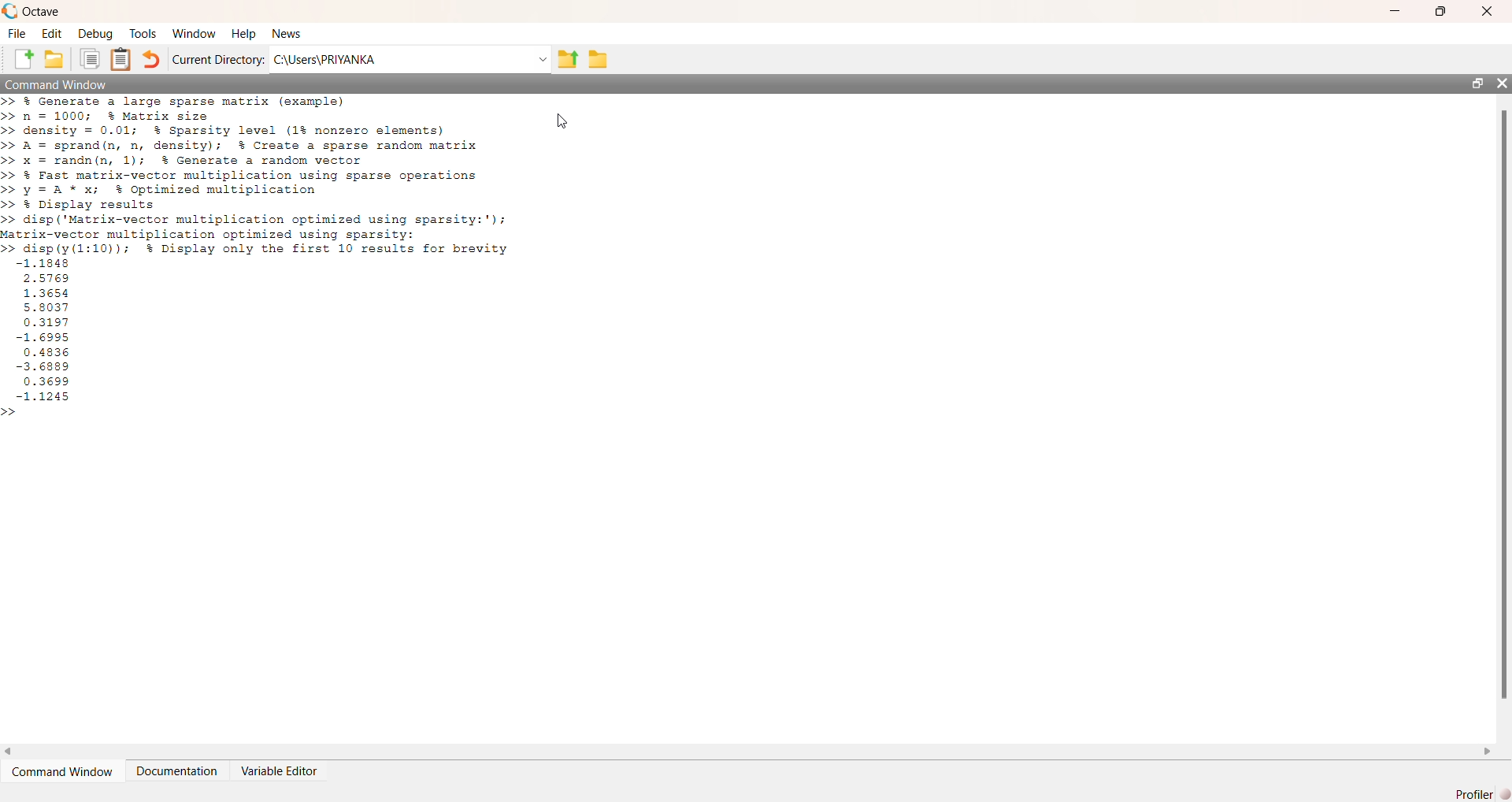  I want to click on open an existing file in editor, so click(57, 61).